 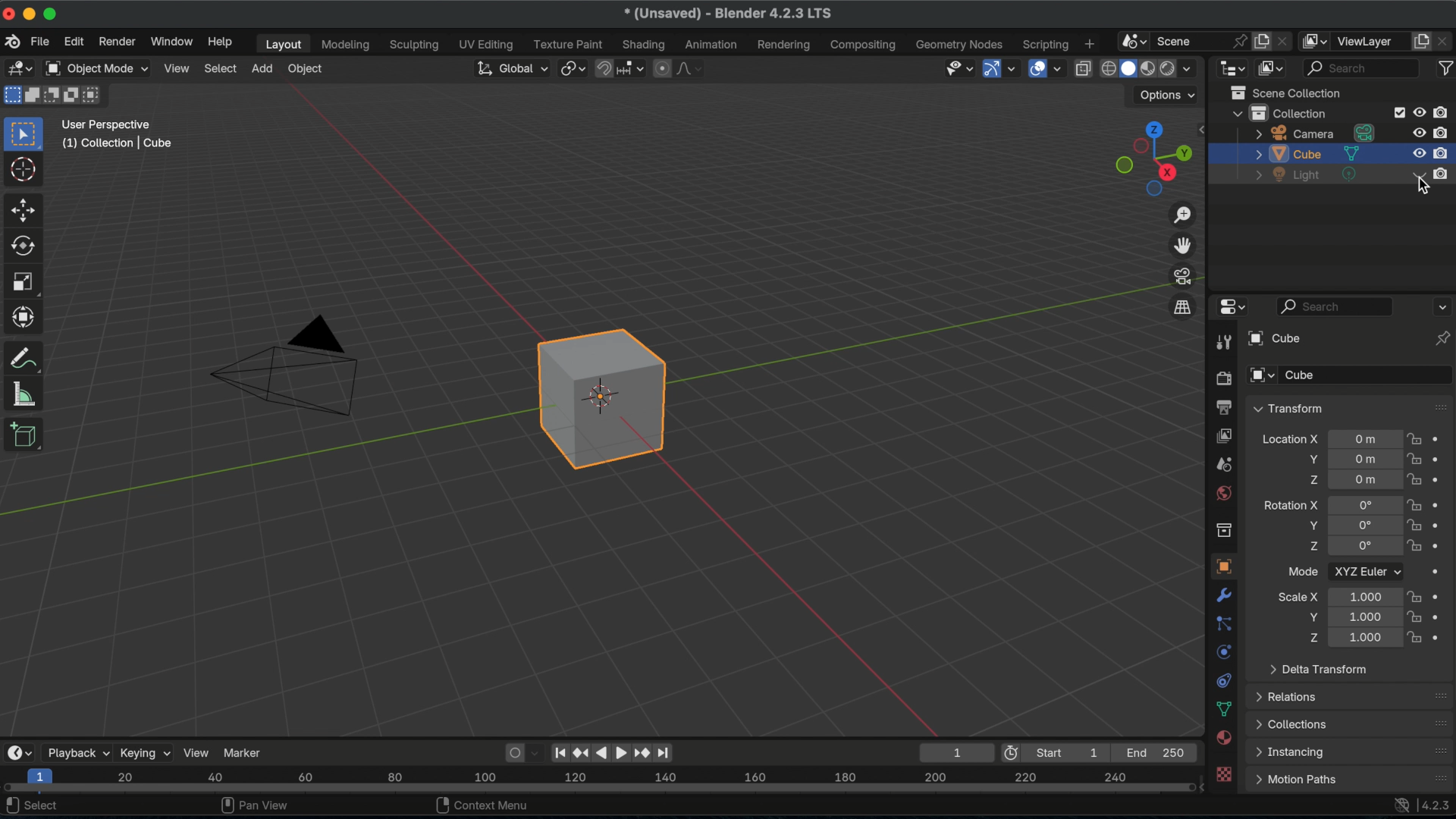 What do you see at coordinates (712, 44) in the screenshot?
I see `animation` at bounding box center [712, 44].